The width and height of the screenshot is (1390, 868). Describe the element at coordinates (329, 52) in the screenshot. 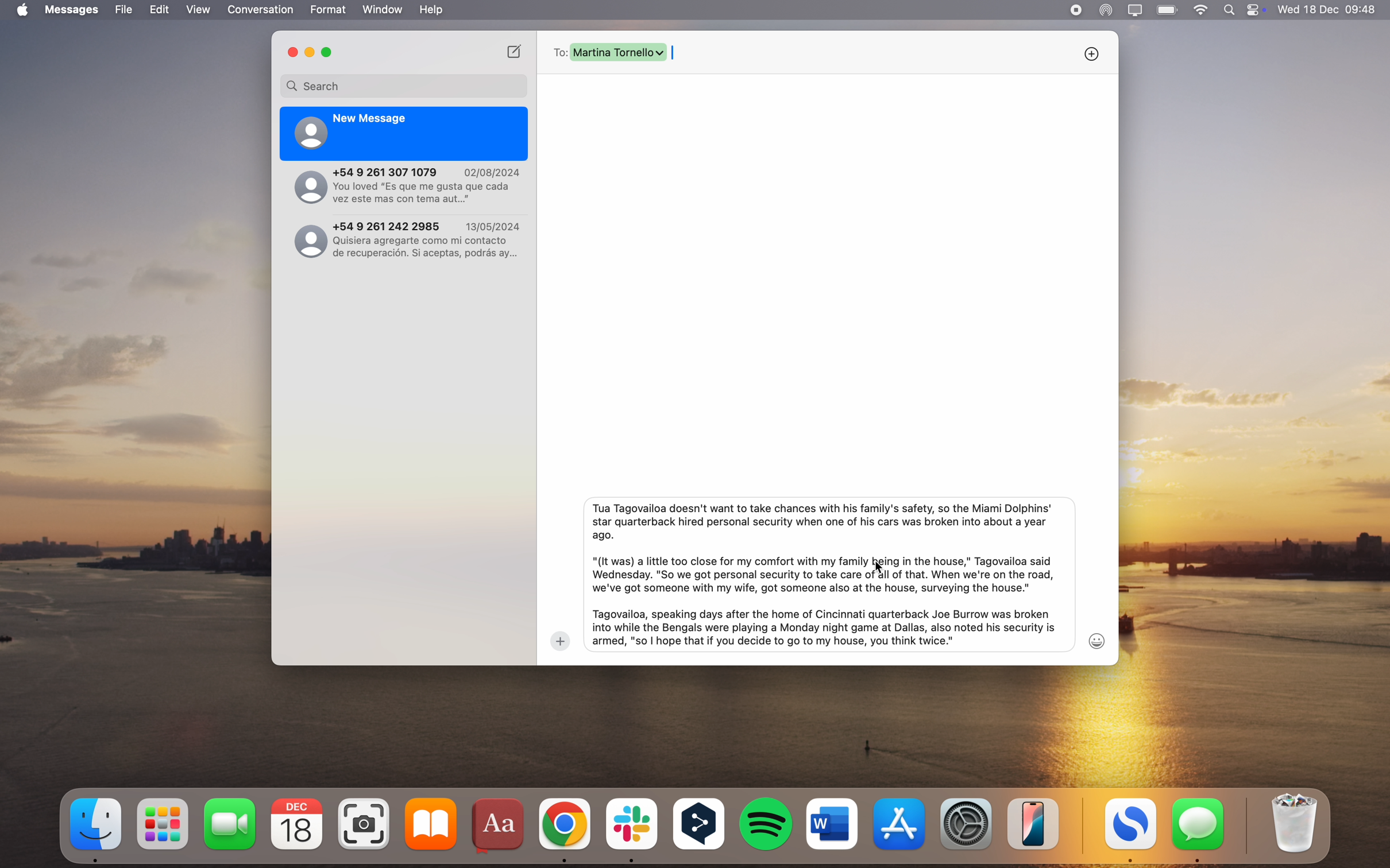

I see `maximize app` at that location.